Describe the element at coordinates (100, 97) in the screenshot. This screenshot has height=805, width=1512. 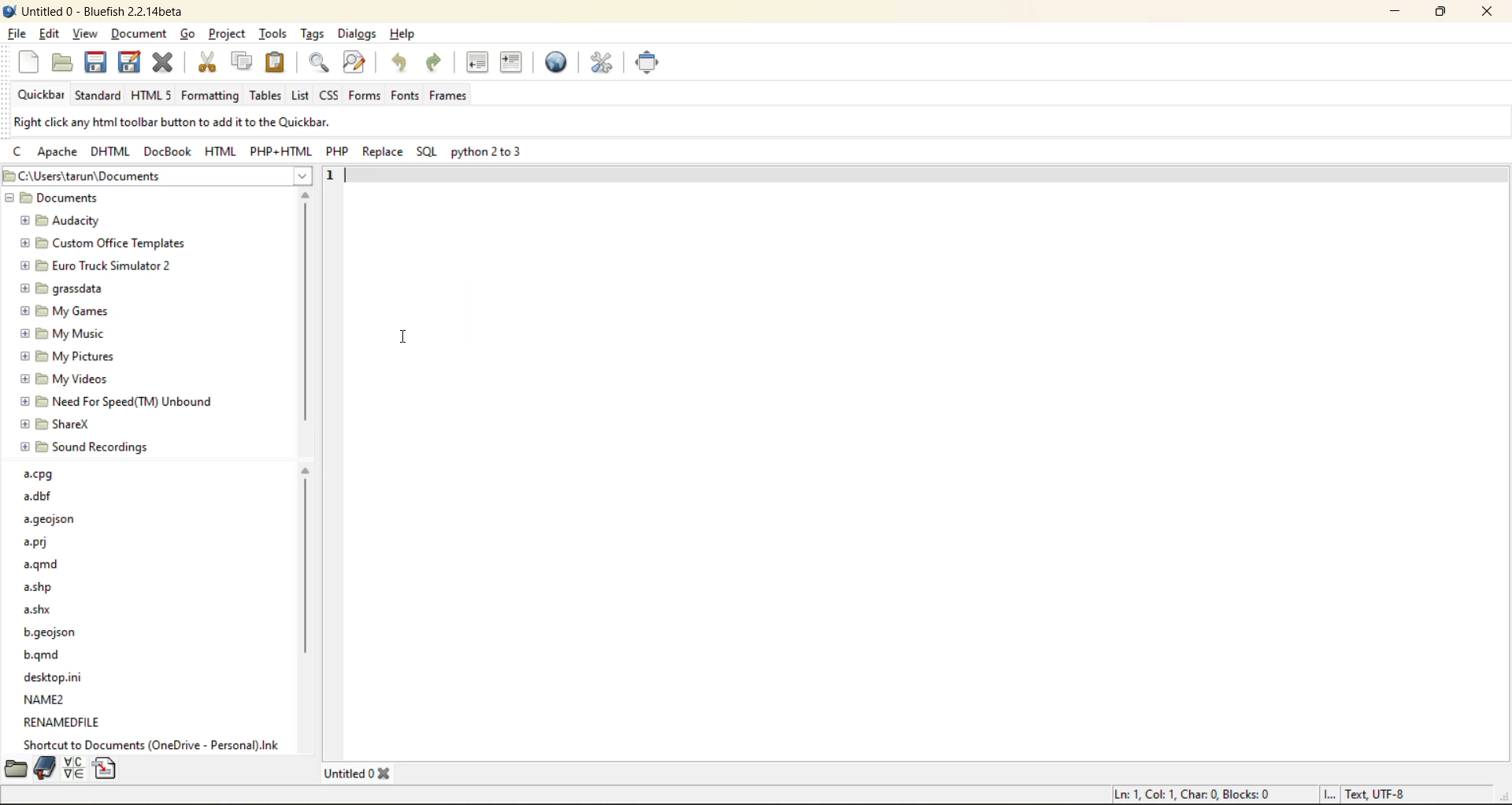
I see `standard` at that location.